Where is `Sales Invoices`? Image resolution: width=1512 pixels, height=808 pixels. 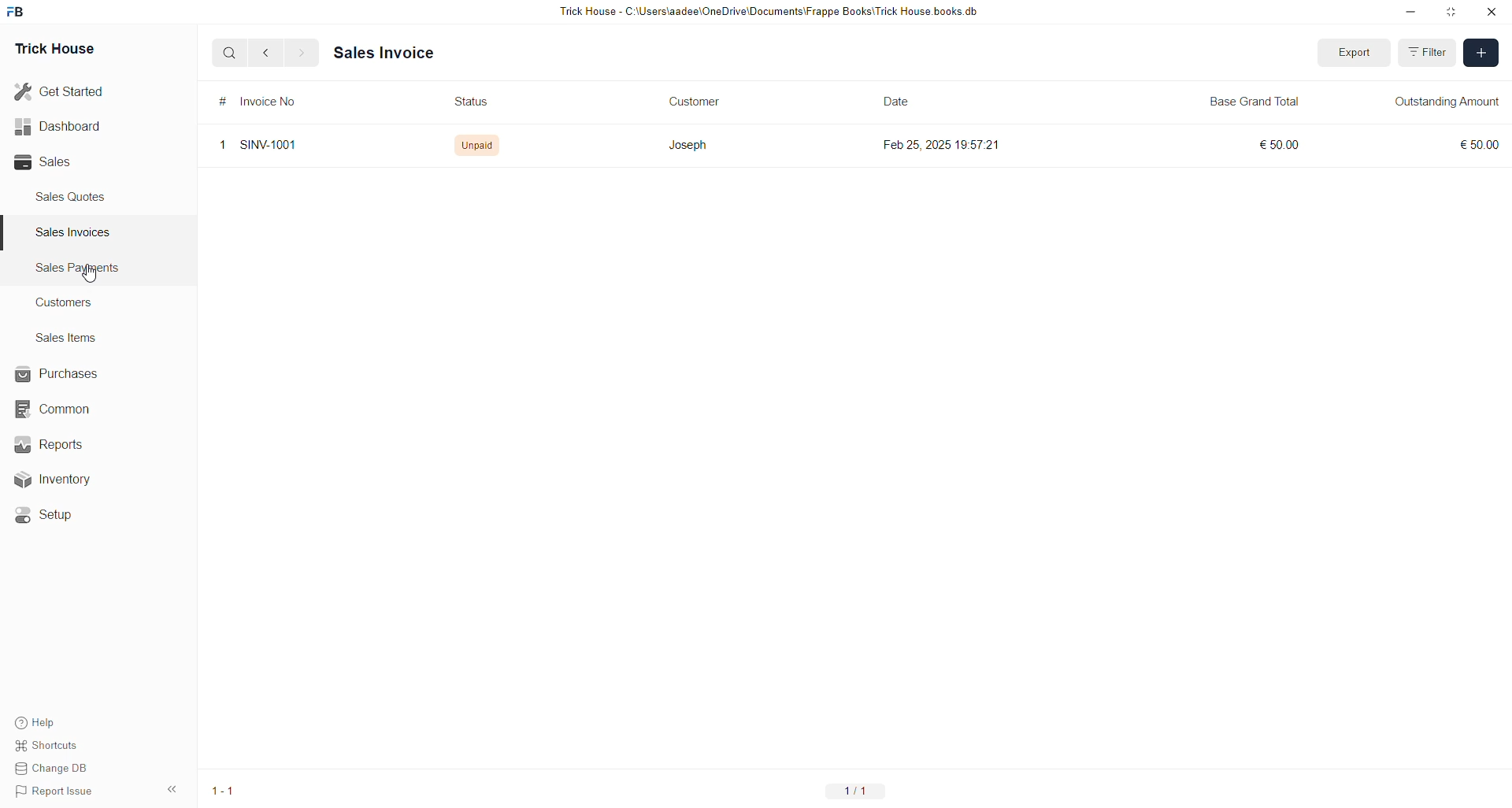
Sales Invoices is located at coordinates (78, 232).